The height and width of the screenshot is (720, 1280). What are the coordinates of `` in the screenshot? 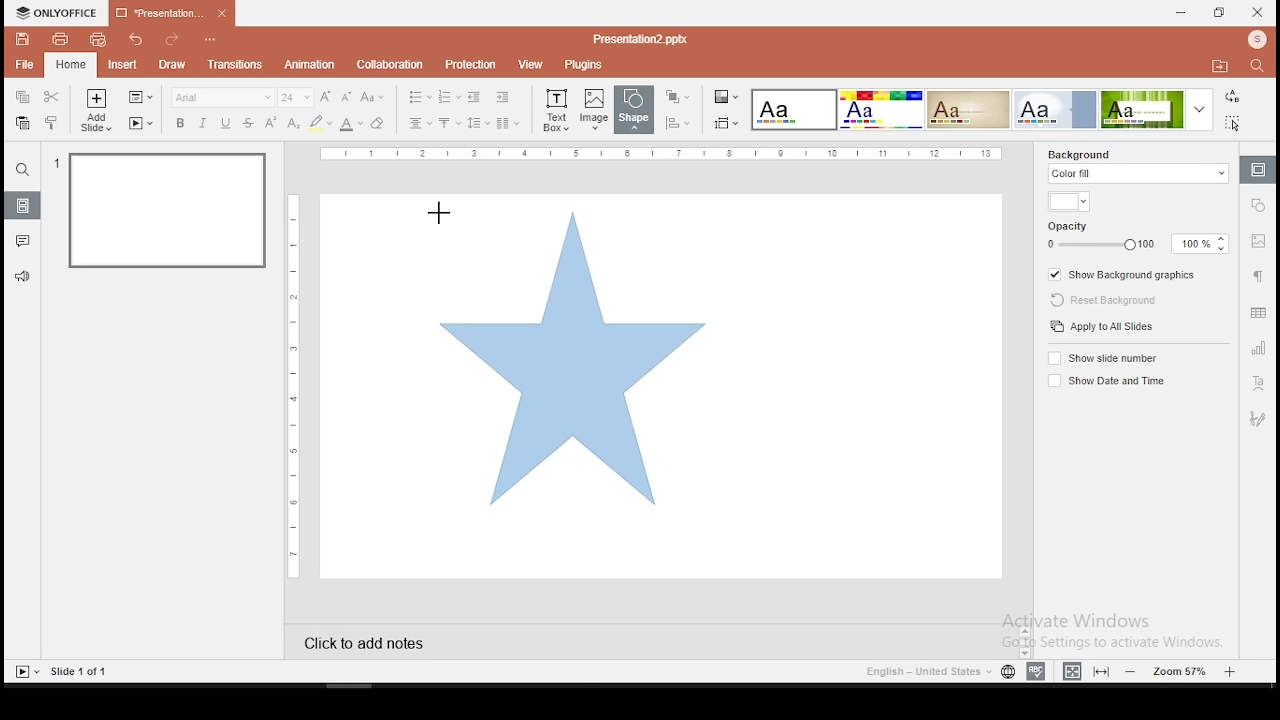 It's located at (1256, 419).